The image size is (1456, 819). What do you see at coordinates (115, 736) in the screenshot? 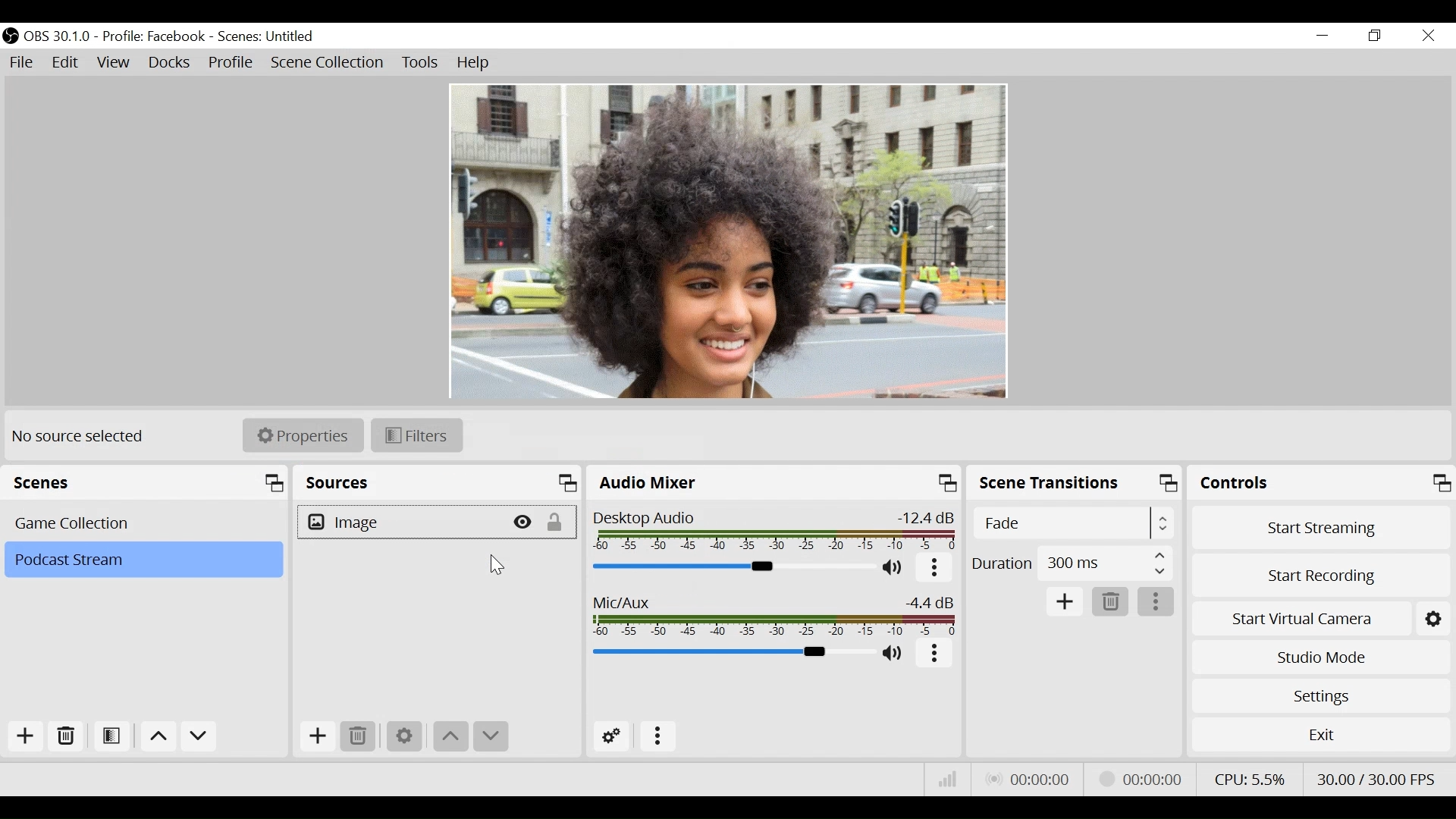
I see `Open Filter Source` at bounding box center [115, 736].